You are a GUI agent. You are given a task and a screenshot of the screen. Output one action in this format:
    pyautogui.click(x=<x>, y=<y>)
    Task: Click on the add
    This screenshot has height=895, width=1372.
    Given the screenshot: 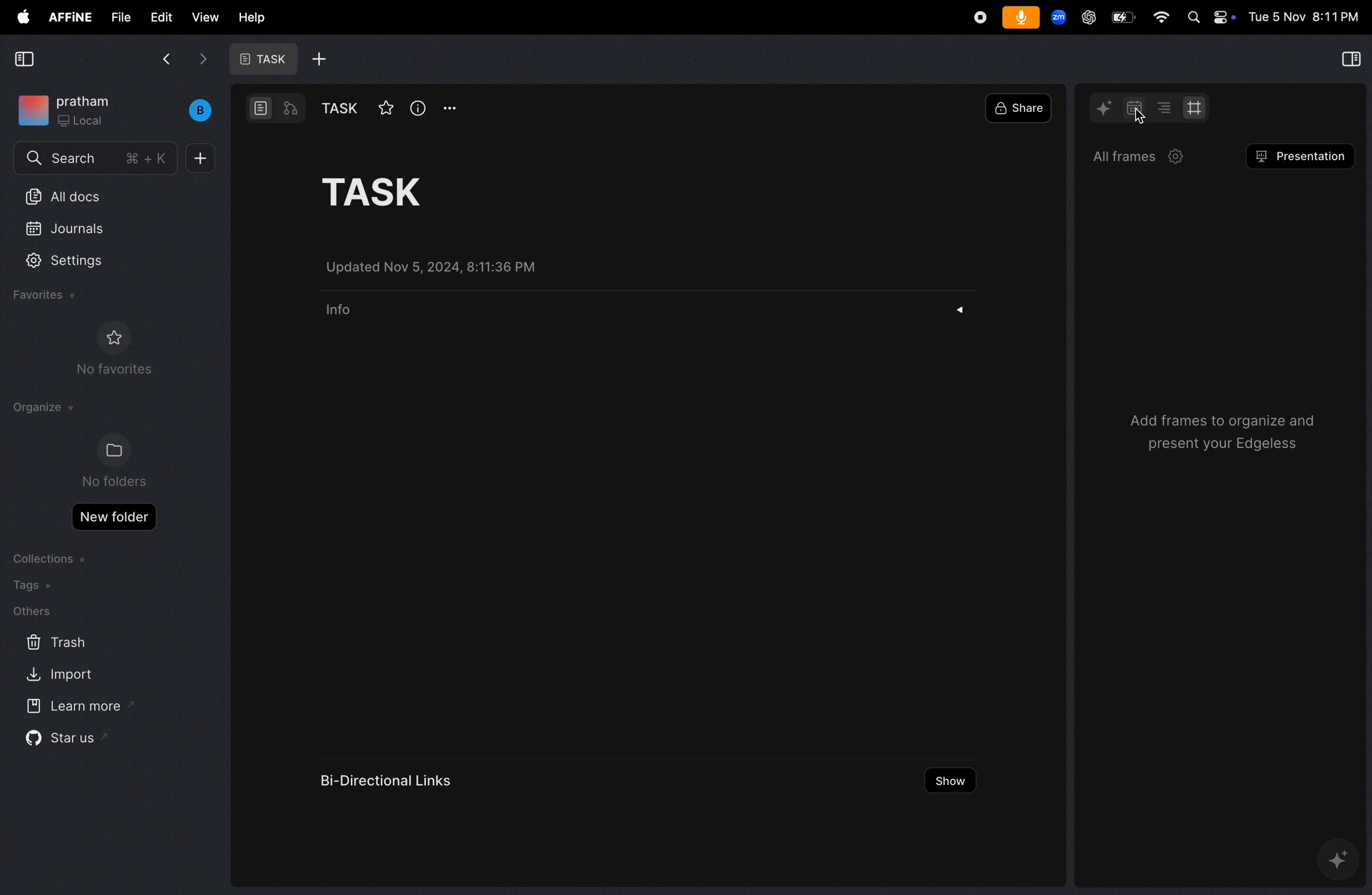 What is the action you would take?
    pyautogui.click(x=202, y=159)
    